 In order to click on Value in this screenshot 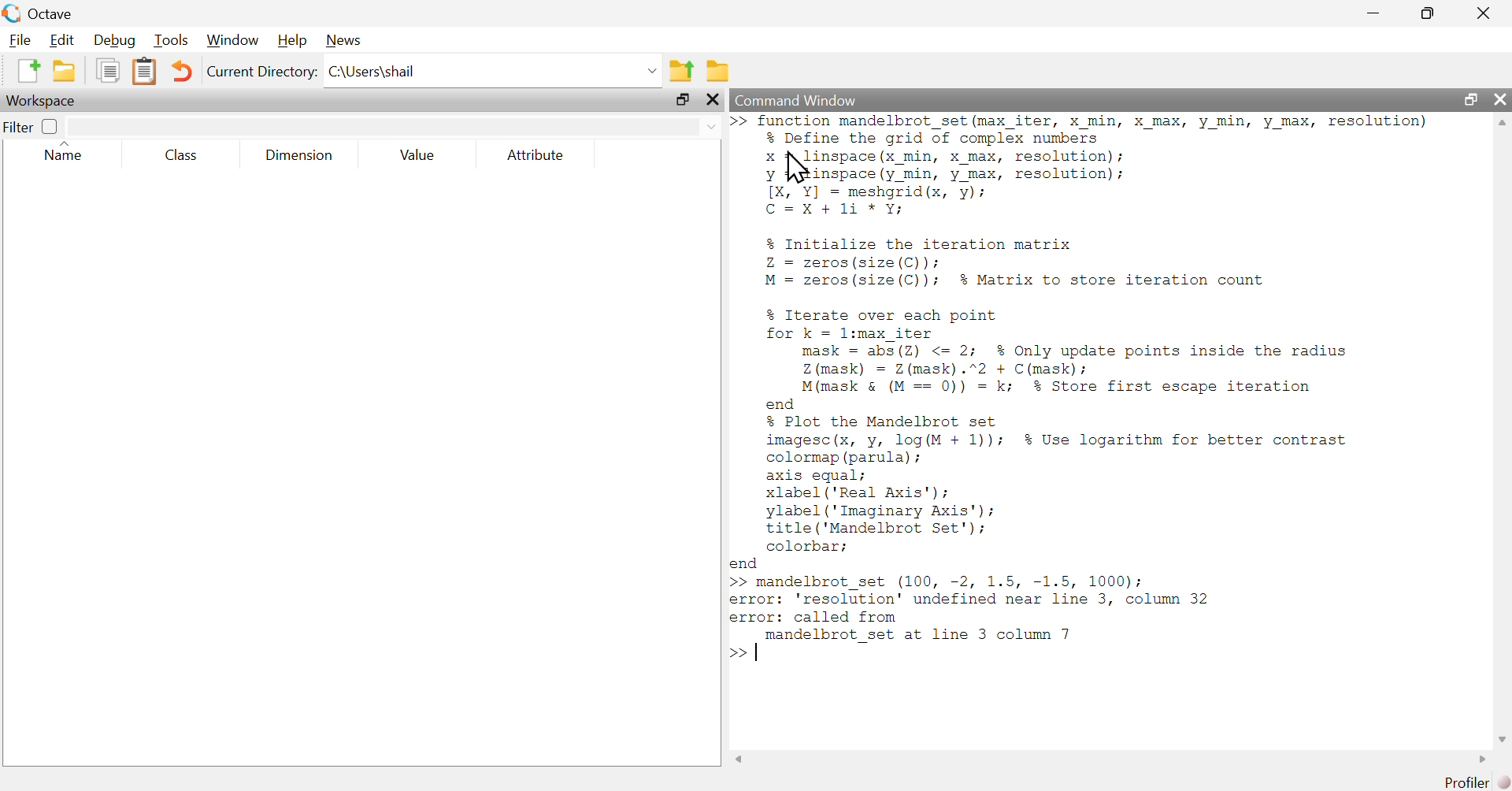, I will do `click(419, 157)`.